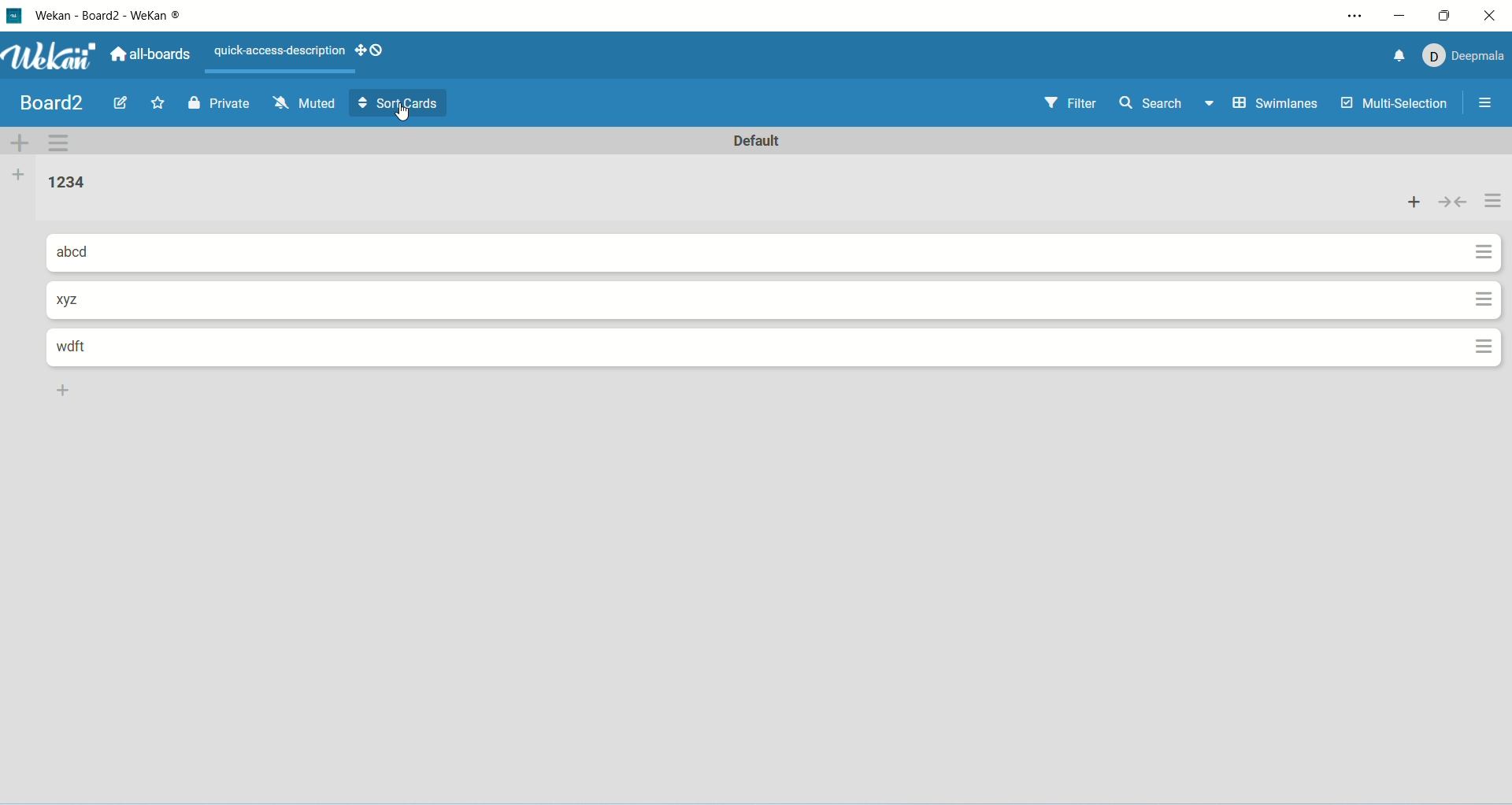 The height and width of the screenshot is (805, 1512). Describe the element at coordinates (76, 299) in the screenshot. I see `card title` at that location.